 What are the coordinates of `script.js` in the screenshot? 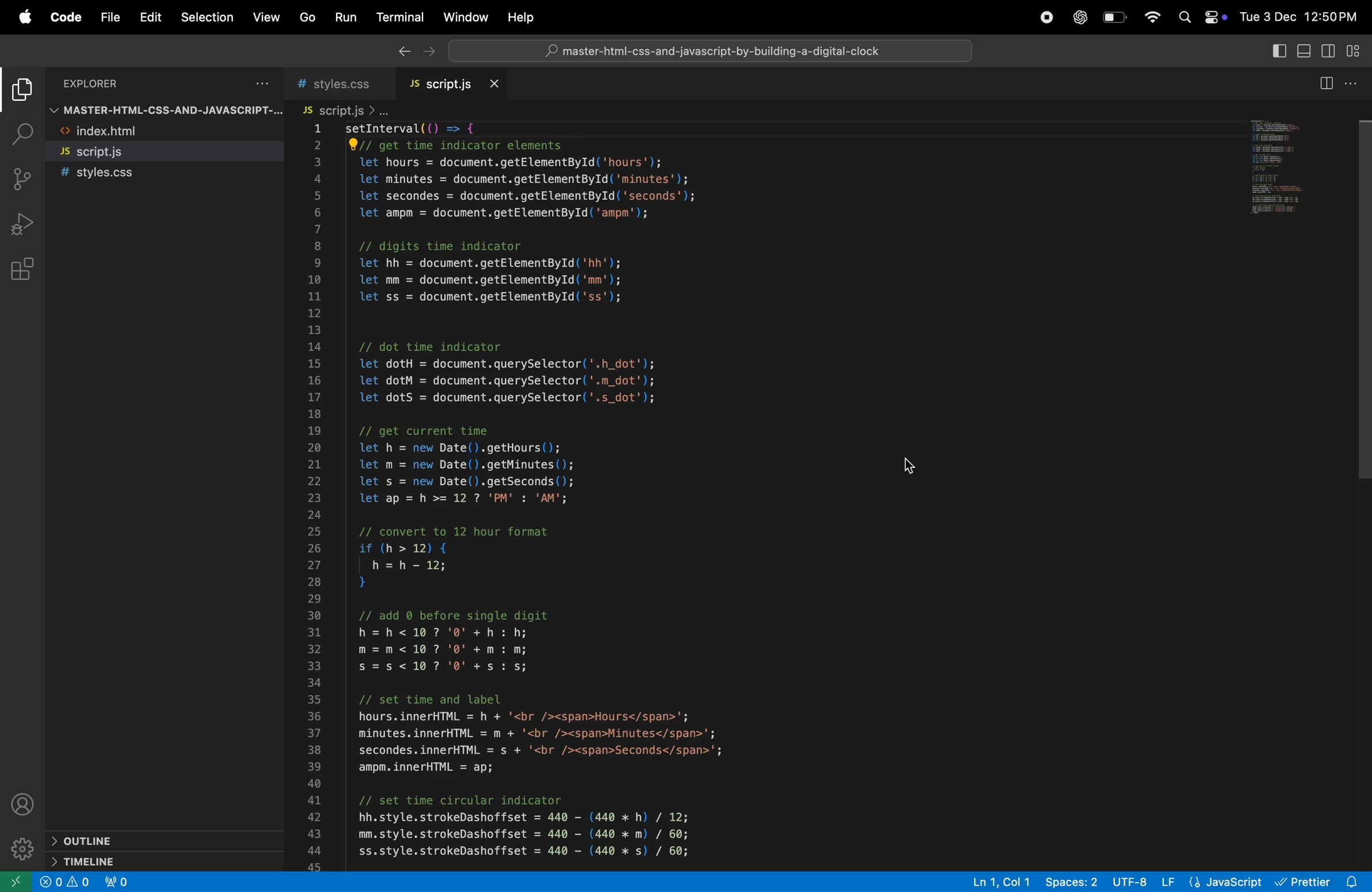 It's located at (344, 111).